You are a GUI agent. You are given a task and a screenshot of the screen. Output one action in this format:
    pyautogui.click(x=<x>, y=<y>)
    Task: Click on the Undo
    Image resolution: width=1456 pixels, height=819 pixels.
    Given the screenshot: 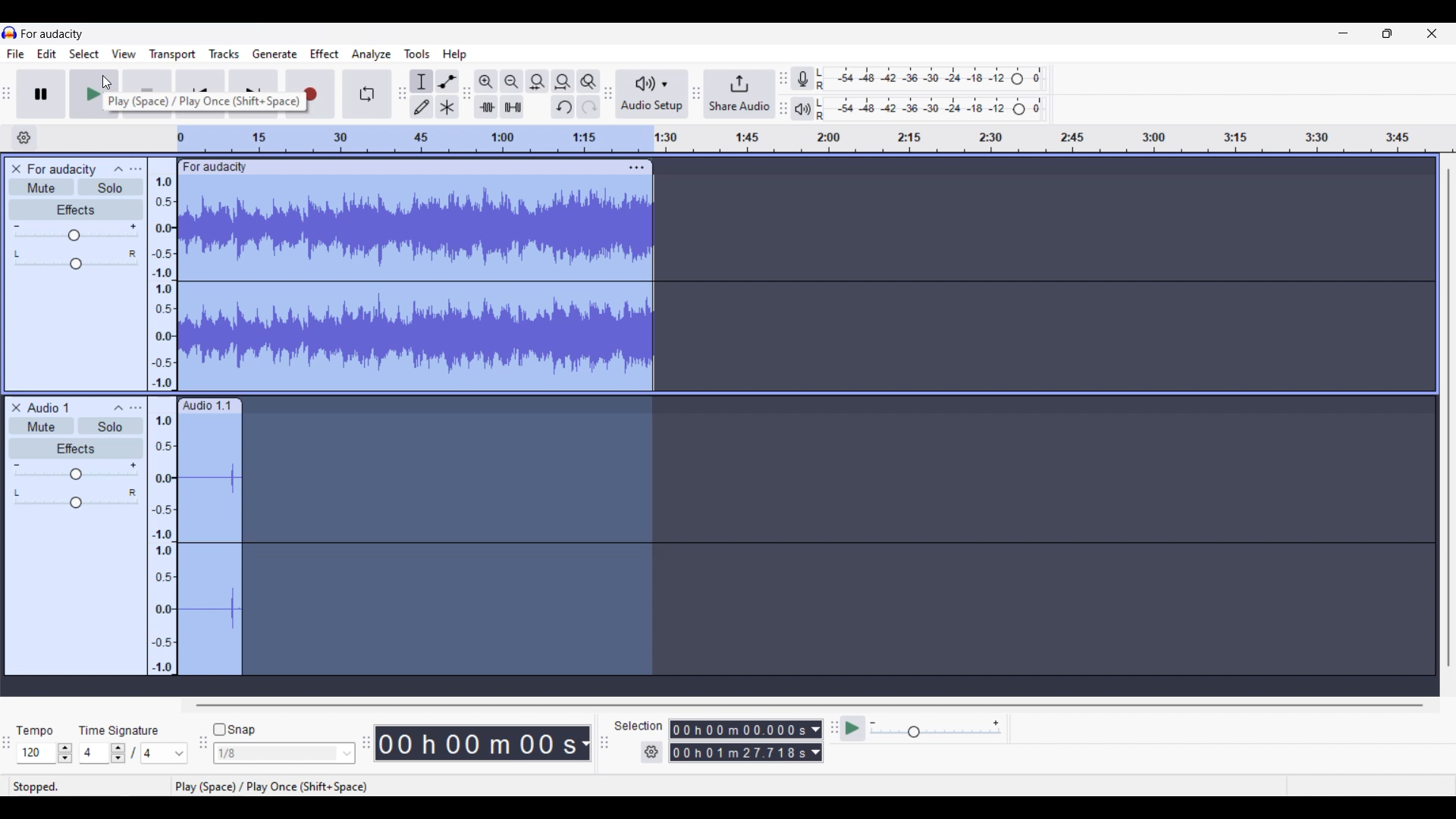 What is the action you would take?
    pyautogui.click(x=563, y=107)
    